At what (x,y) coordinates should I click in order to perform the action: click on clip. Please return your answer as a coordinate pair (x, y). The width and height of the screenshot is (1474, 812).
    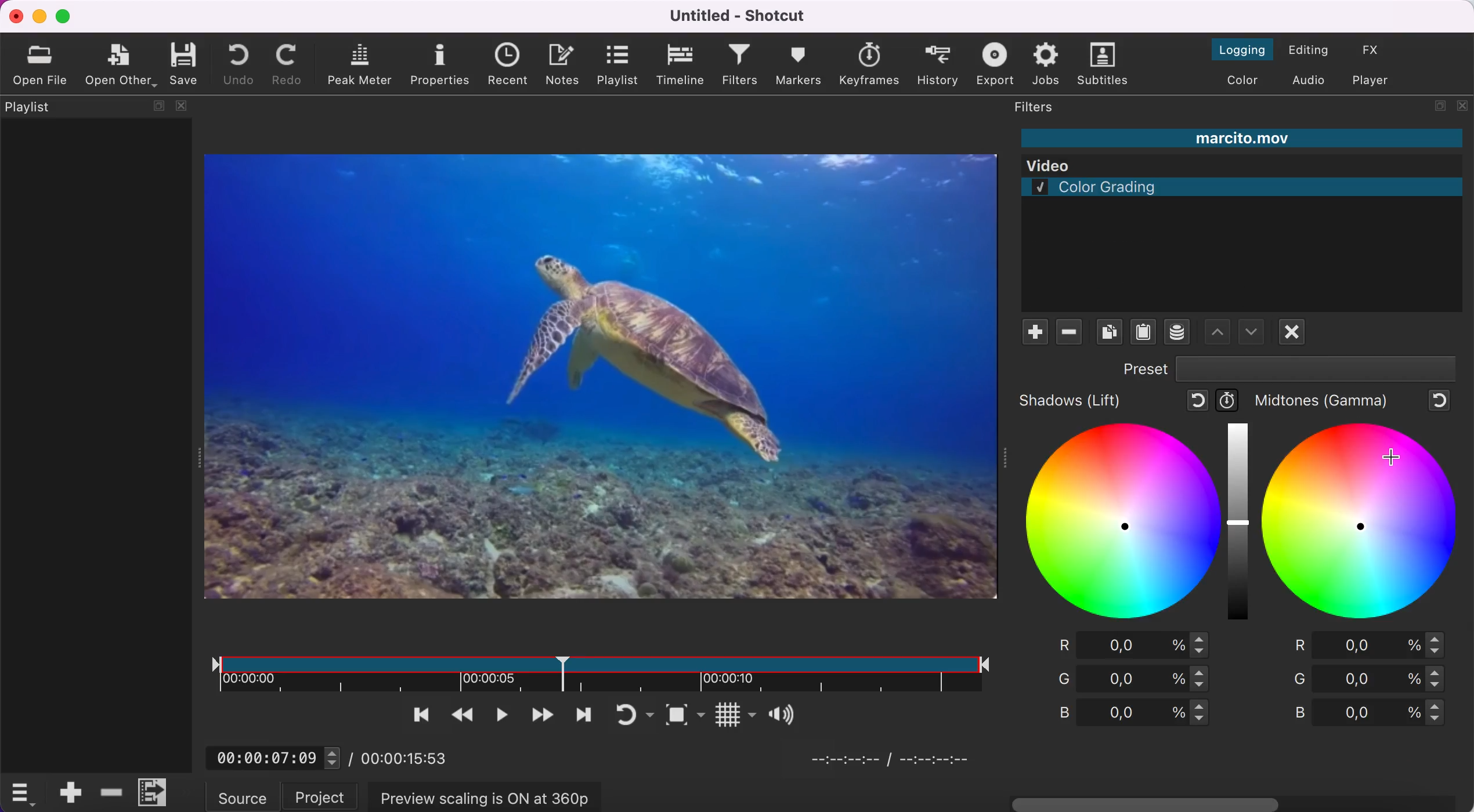
    Looking at the image, I should click on (598, 385).